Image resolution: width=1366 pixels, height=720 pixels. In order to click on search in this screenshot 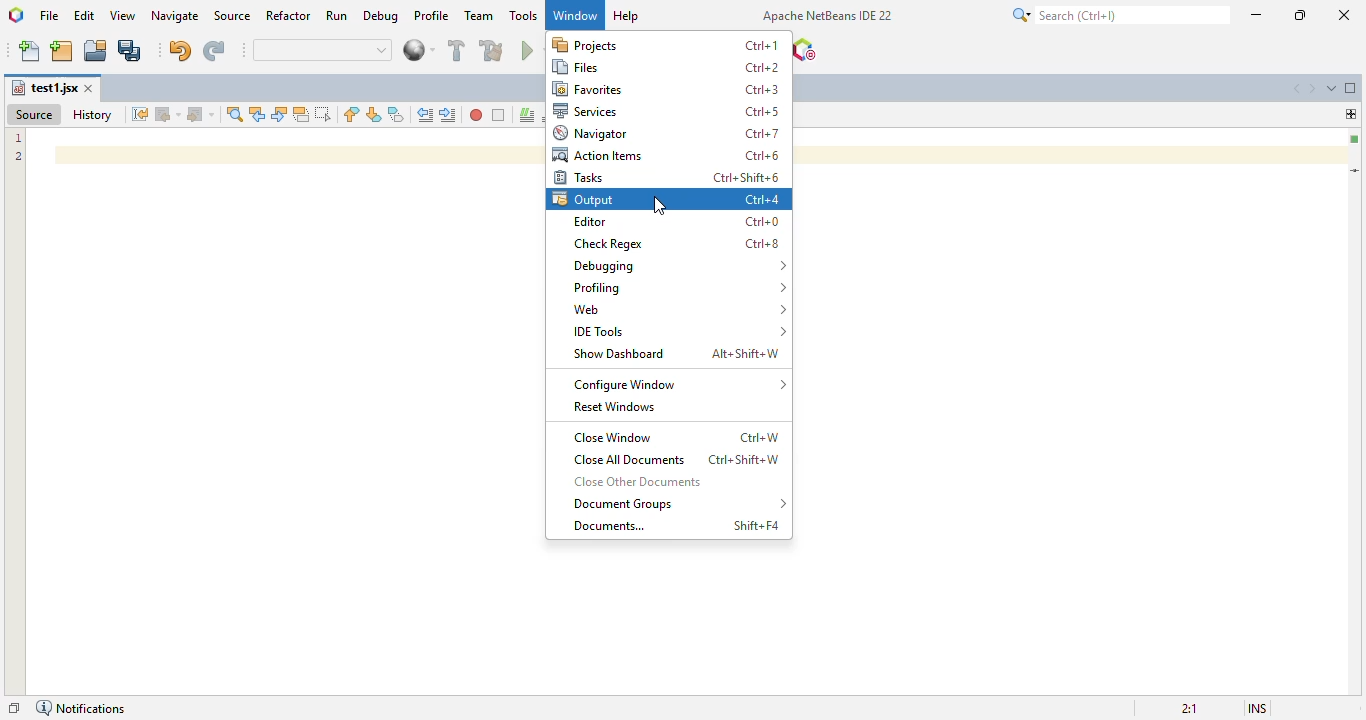, I will do `click(1121, 15)`.